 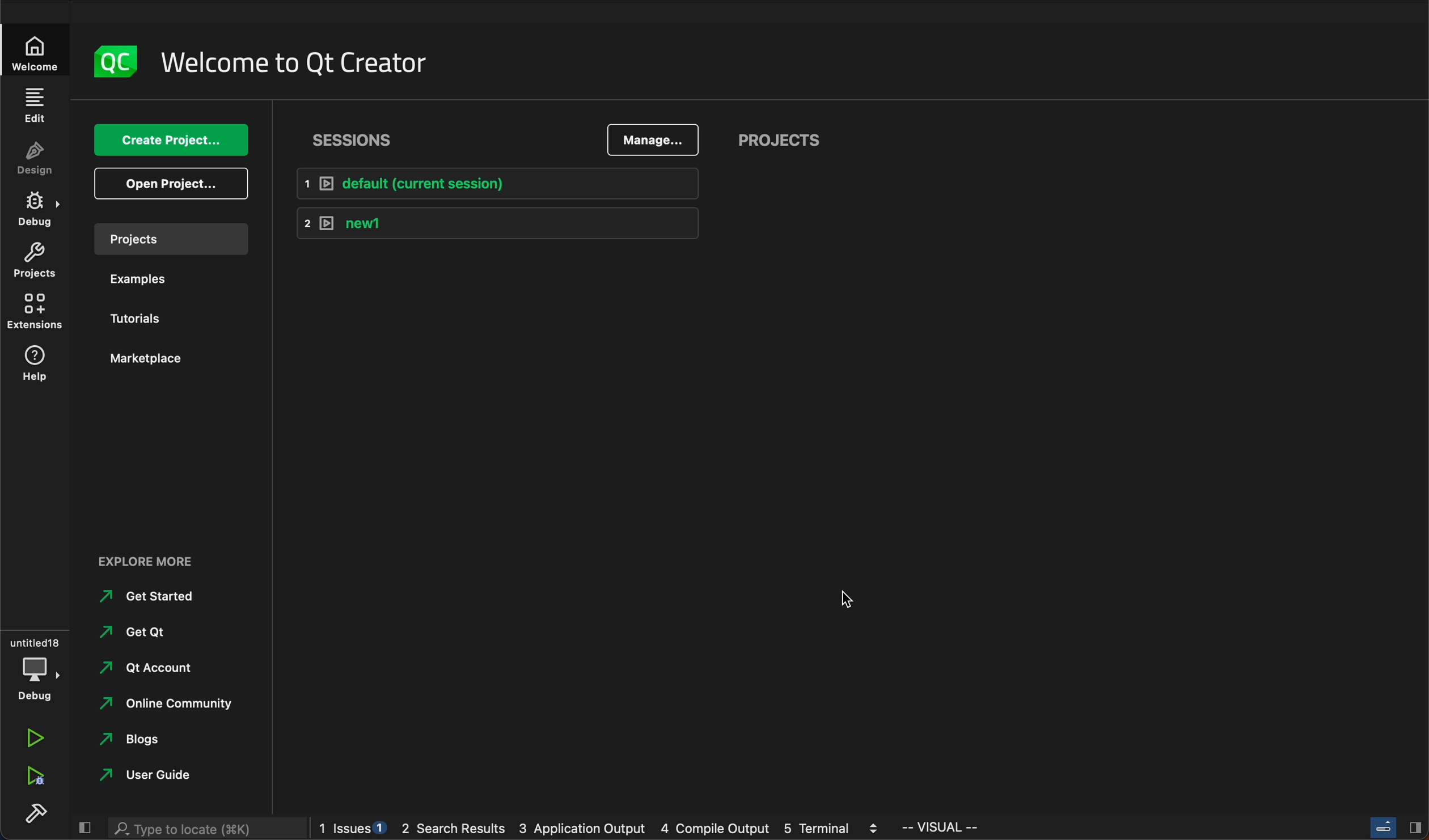 I want to click on create , so click(x=173, y=141).